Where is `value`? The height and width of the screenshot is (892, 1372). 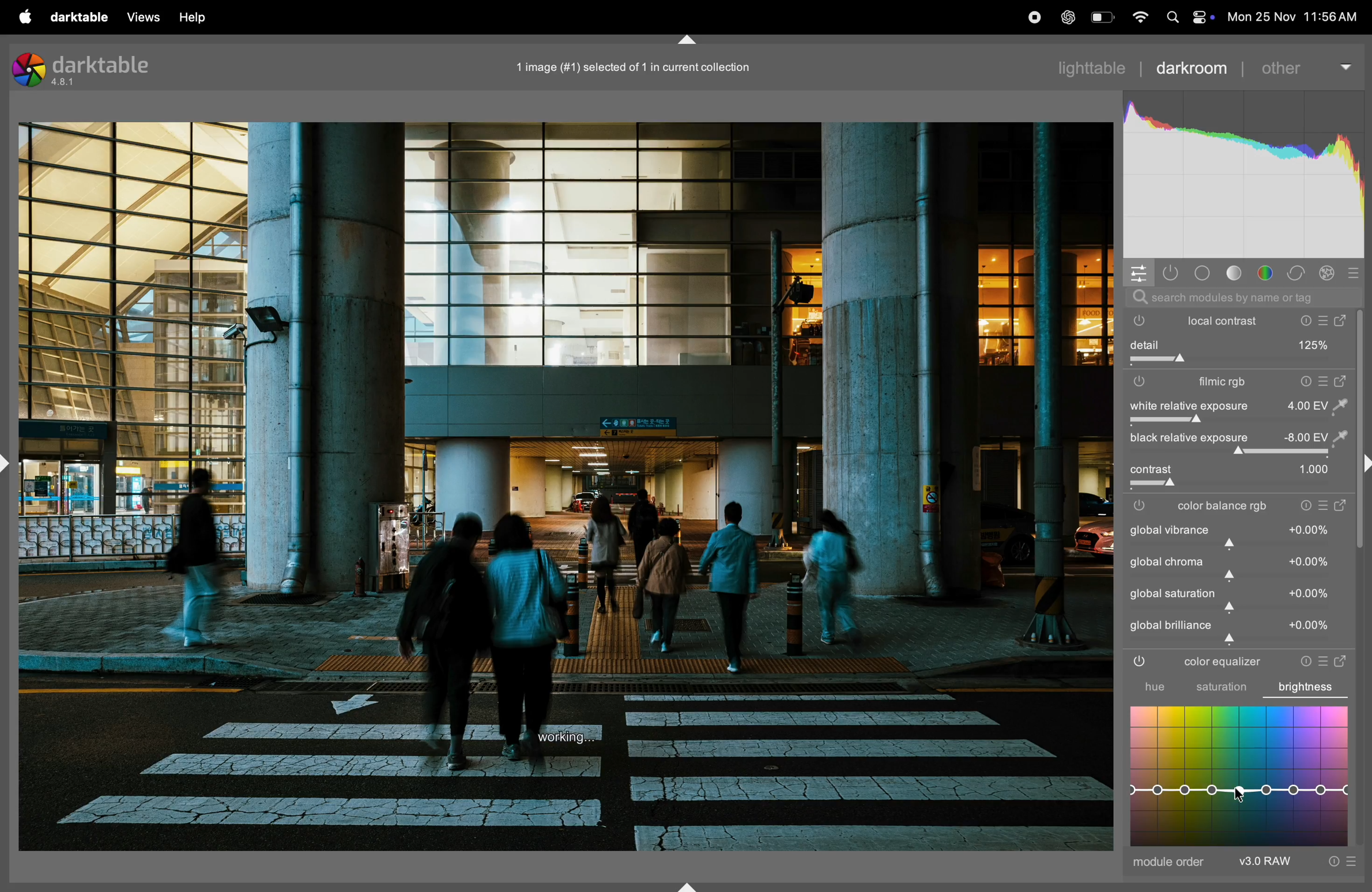 value is located at coordinates (1310, 594).